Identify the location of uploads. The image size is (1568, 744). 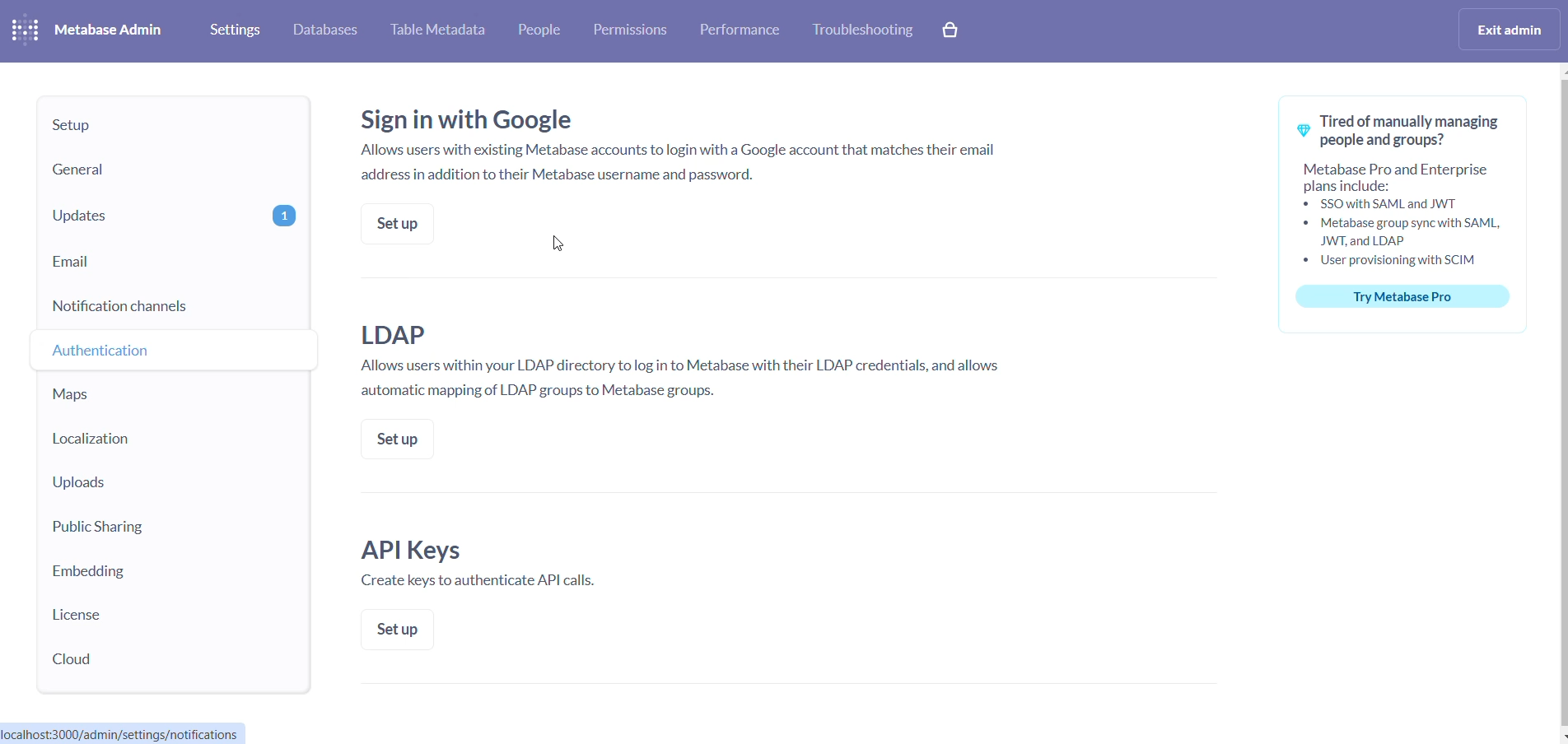
(137, 486).